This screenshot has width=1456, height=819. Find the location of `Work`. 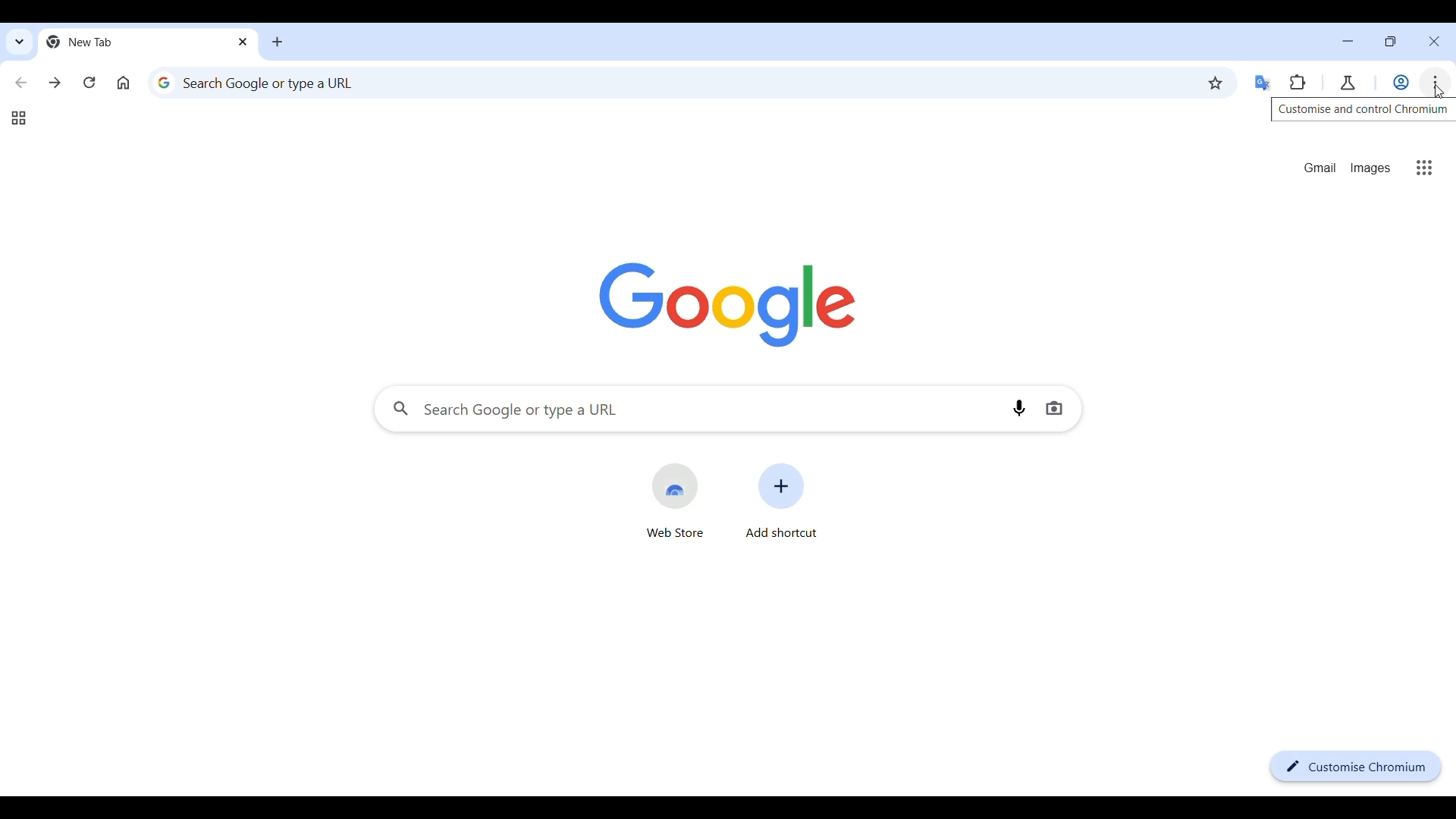

Work is located at coordinates (1401, 83).